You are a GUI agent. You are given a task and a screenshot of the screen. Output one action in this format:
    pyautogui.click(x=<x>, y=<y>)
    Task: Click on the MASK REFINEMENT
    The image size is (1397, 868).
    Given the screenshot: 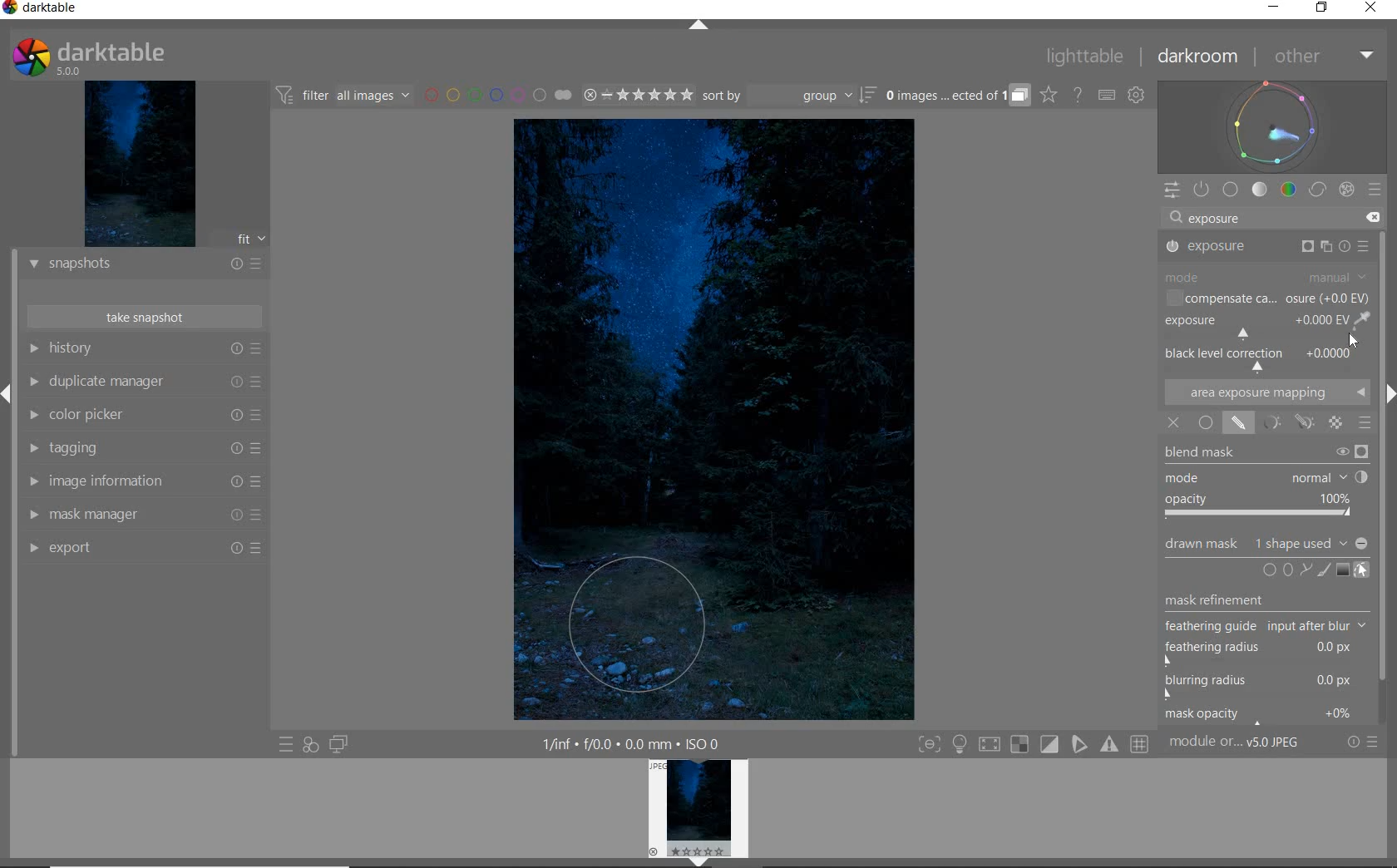 What is the action you would take?
    pyautogui.click(x=1268, y=601)
    